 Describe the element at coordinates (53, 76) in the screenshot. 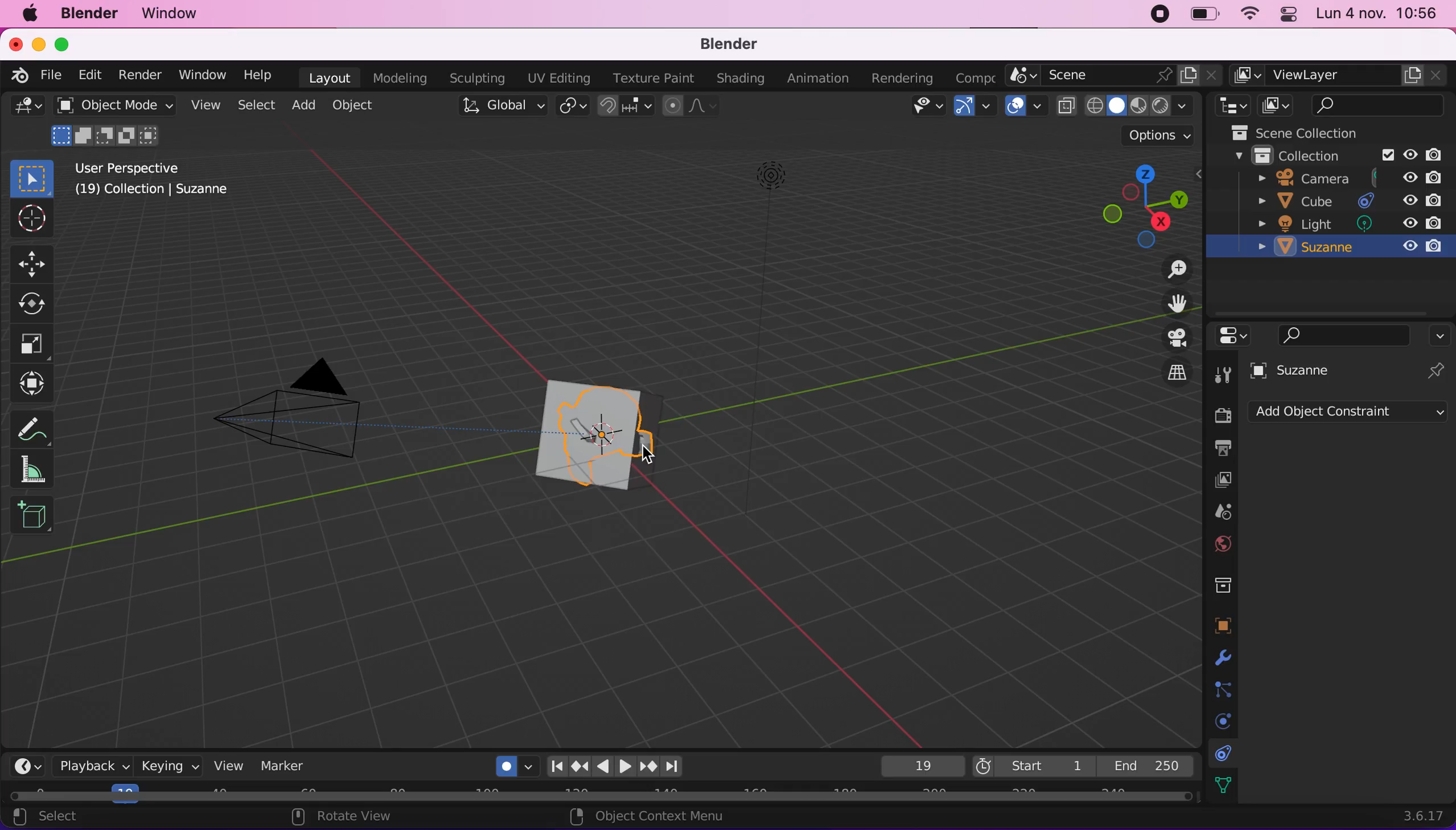

I see `file` at that location.